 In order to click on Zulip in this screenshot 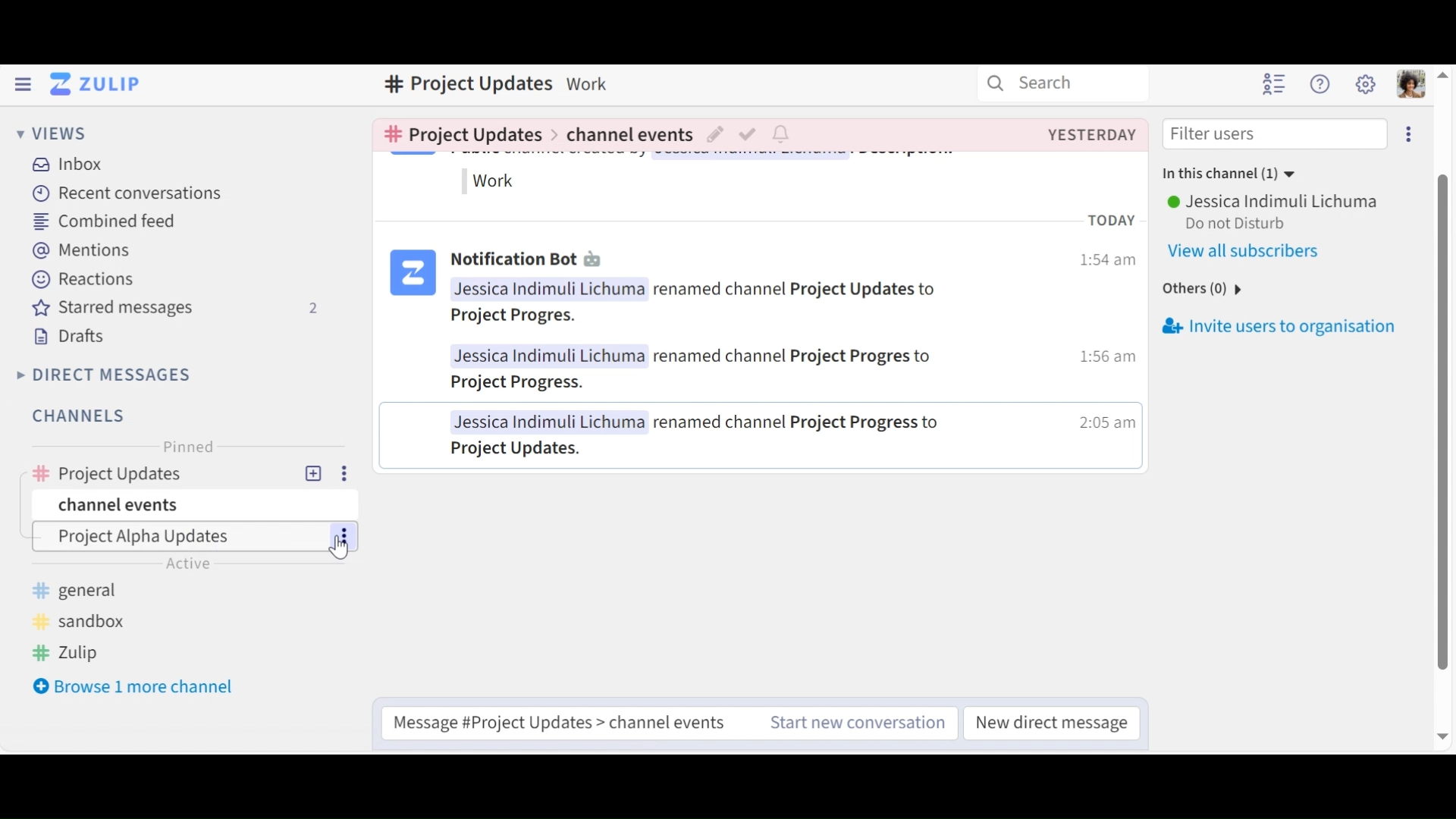, I will do `click(71, 651)`.